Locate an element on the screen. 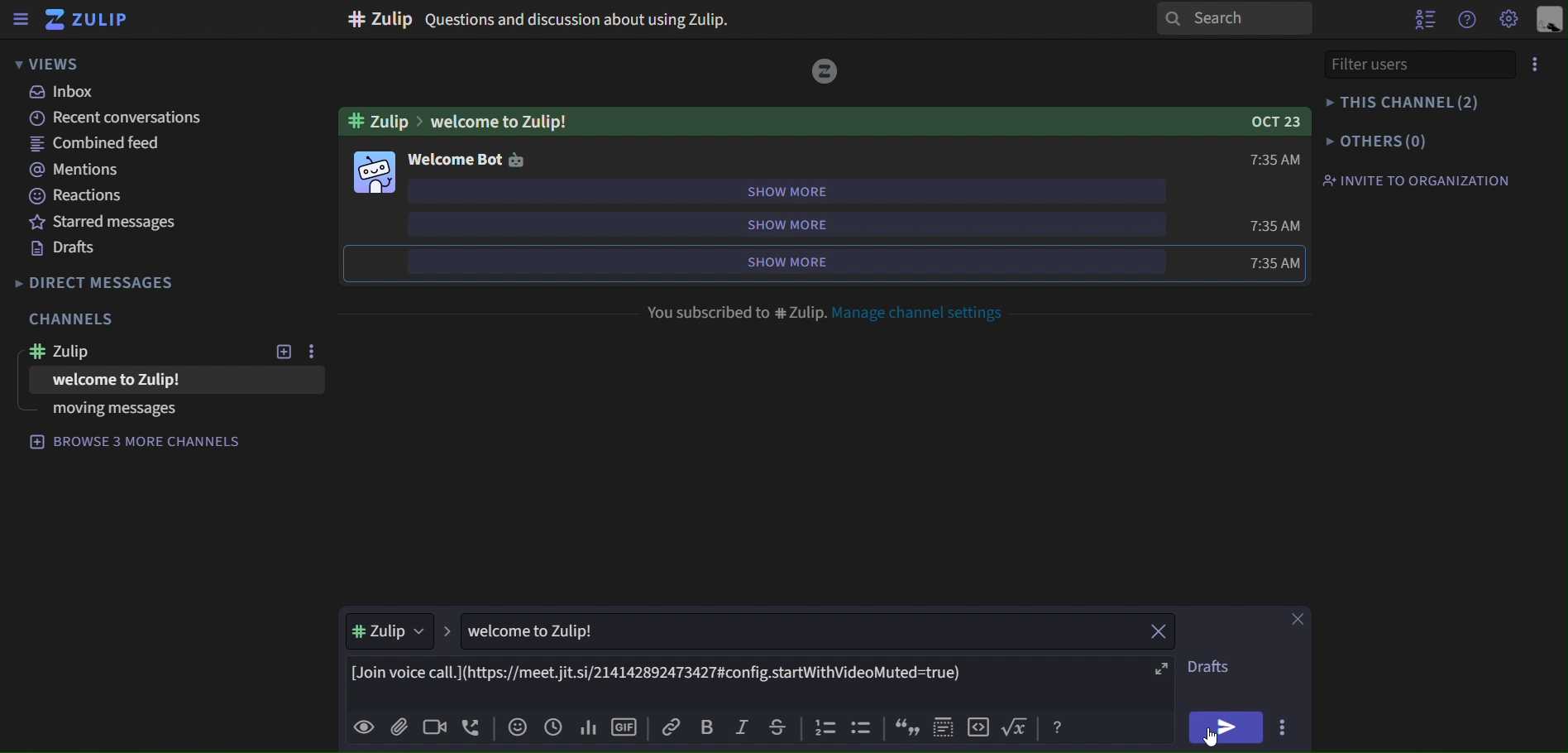  direct messages is located at coordinates (101, 282).